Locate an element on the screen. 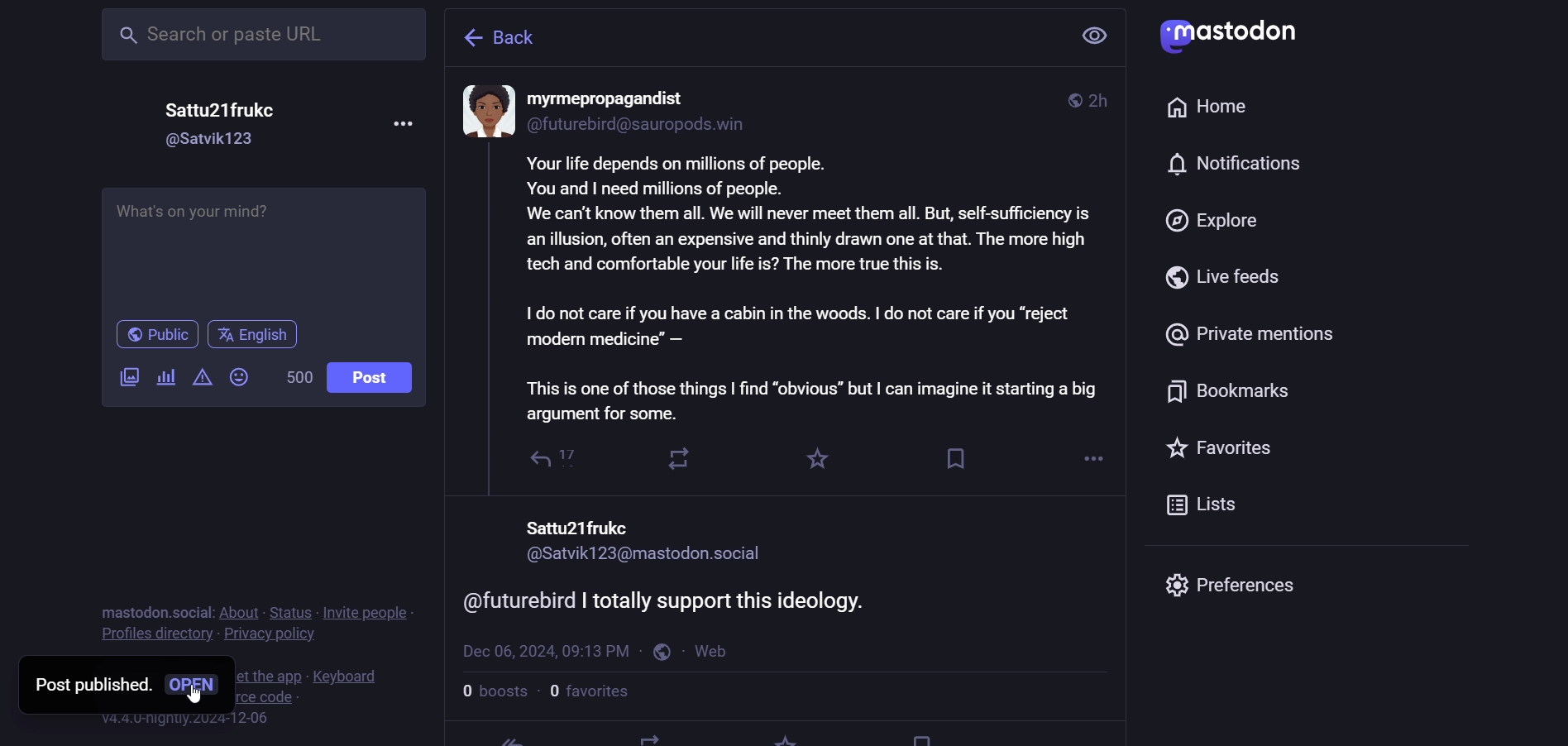  invite people is located at coordinates (370, 612).